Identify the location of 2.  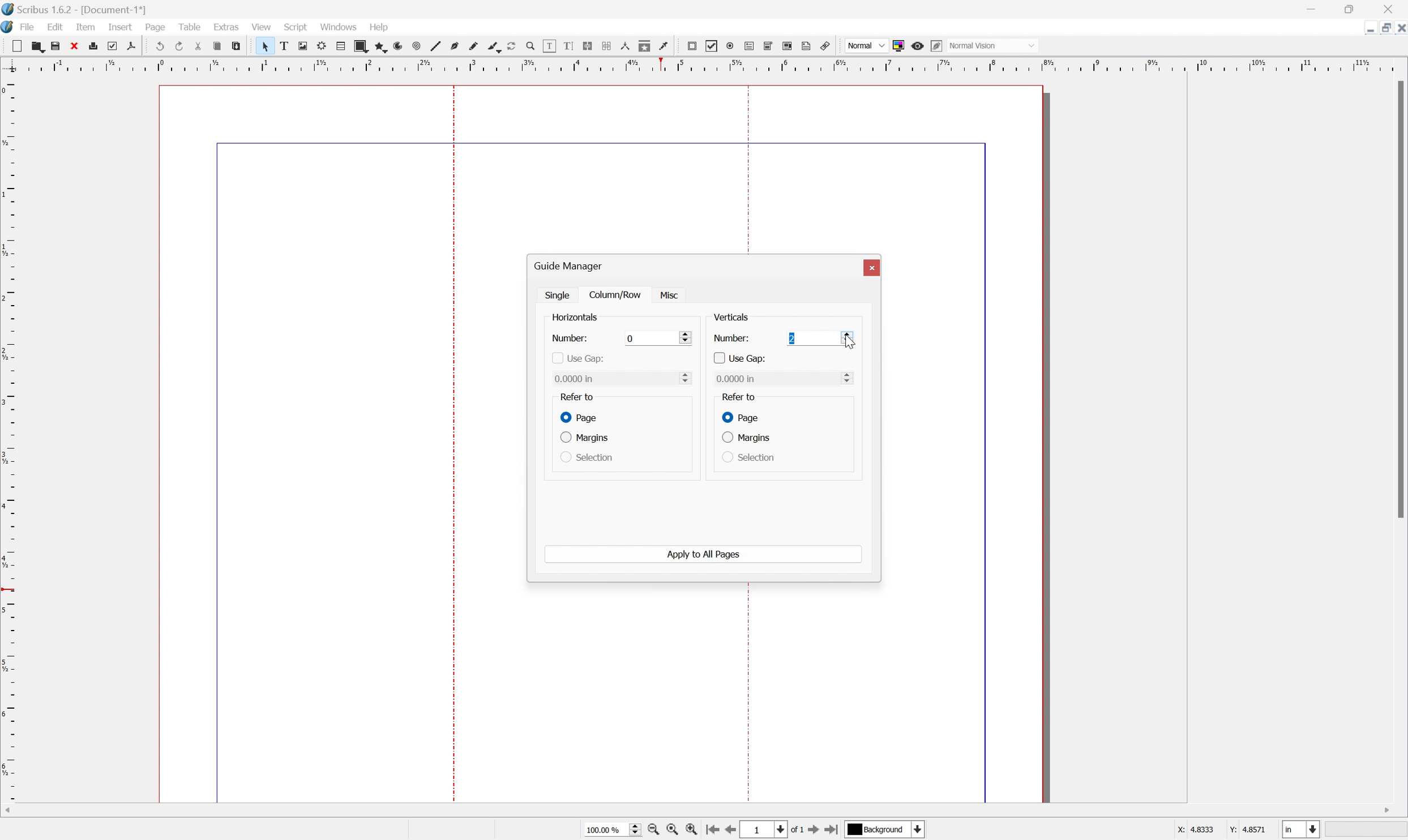
(819, 340).